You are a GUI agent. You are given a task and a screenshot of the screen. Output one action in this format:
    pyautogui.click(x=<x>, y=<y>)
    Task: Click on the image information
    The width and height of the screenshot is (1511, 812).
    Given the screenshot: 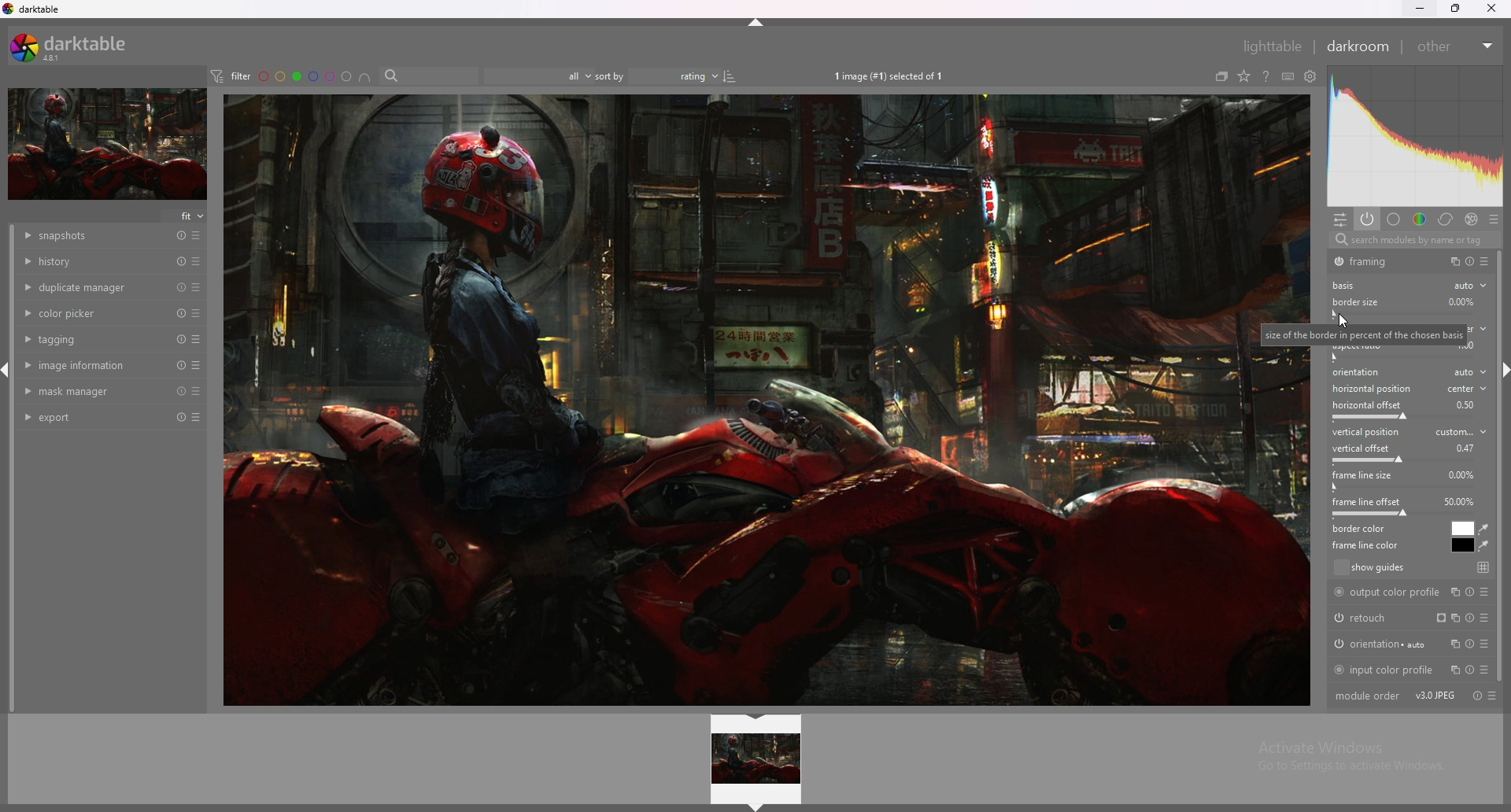 What is the action you would take?
    pyautogui.click(x=94, y=364)
    